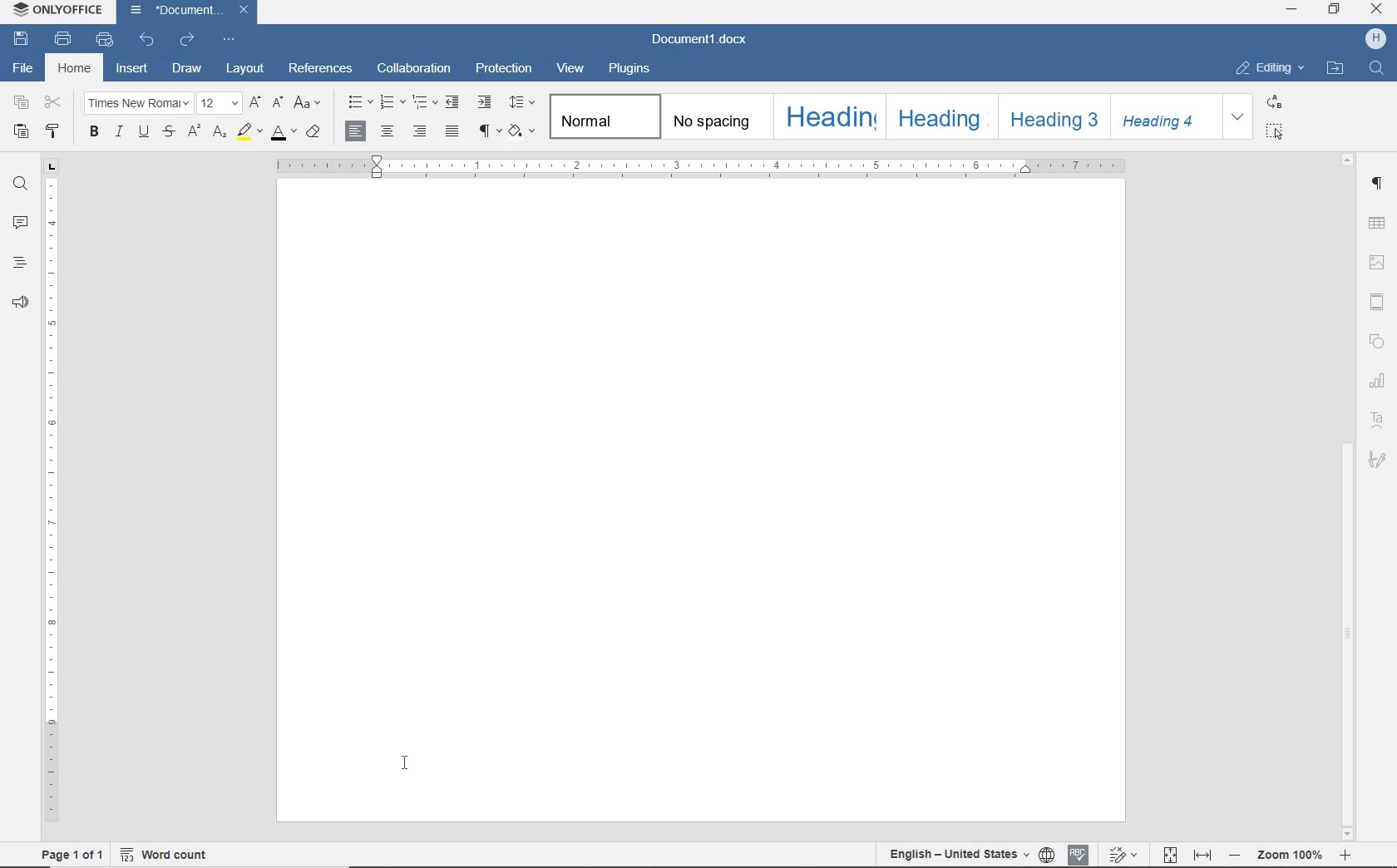 This screenshot has height=868, width=1397. I want to click on replace, so click(1274, 102).